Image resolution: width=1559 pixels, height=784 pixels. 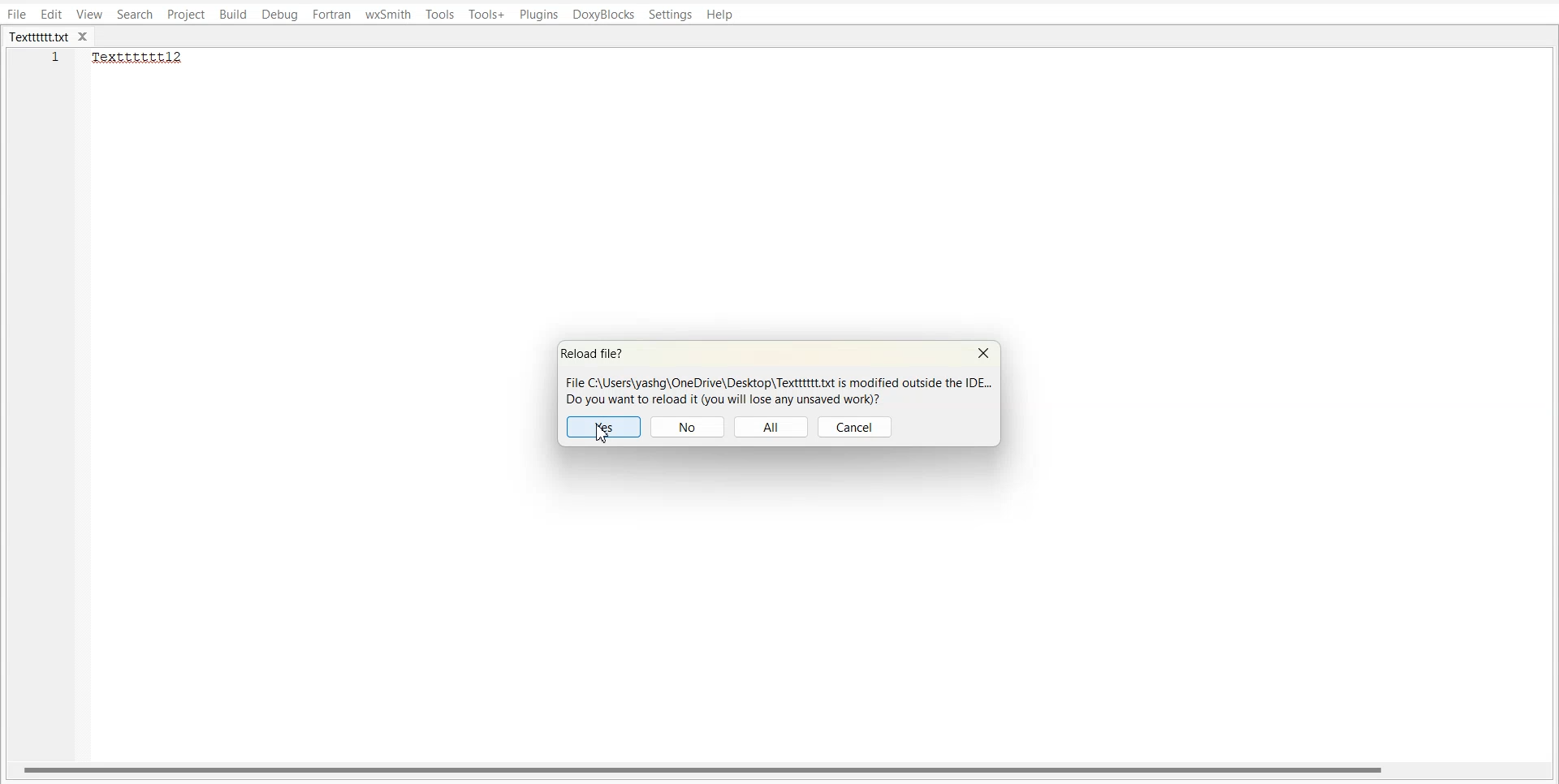 I want to click on Close, so click(x=983, y=354).